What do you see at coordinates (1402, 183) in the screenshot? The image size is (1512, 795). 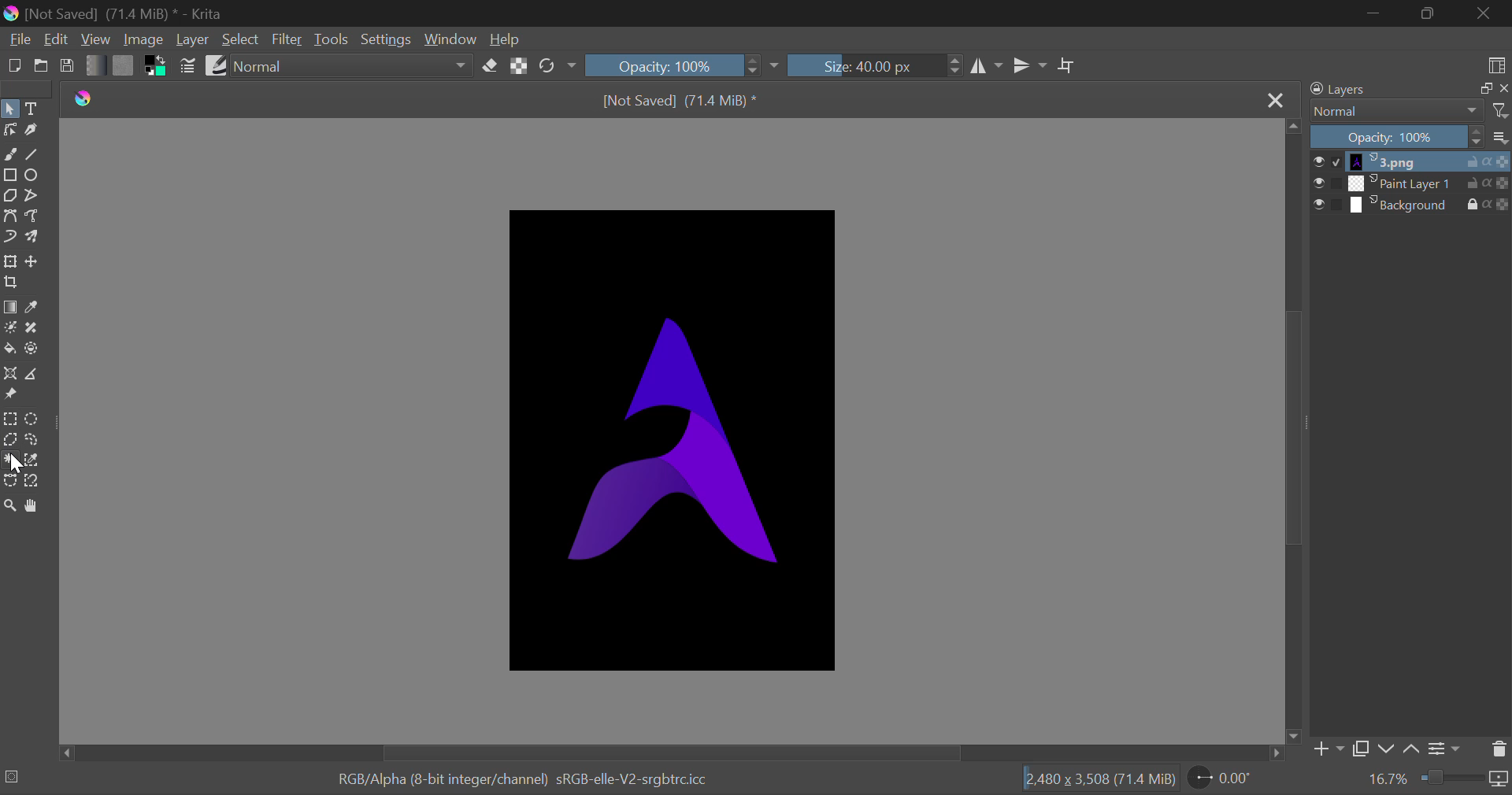 I see `layer 2` at bounding box center [1402, 183].